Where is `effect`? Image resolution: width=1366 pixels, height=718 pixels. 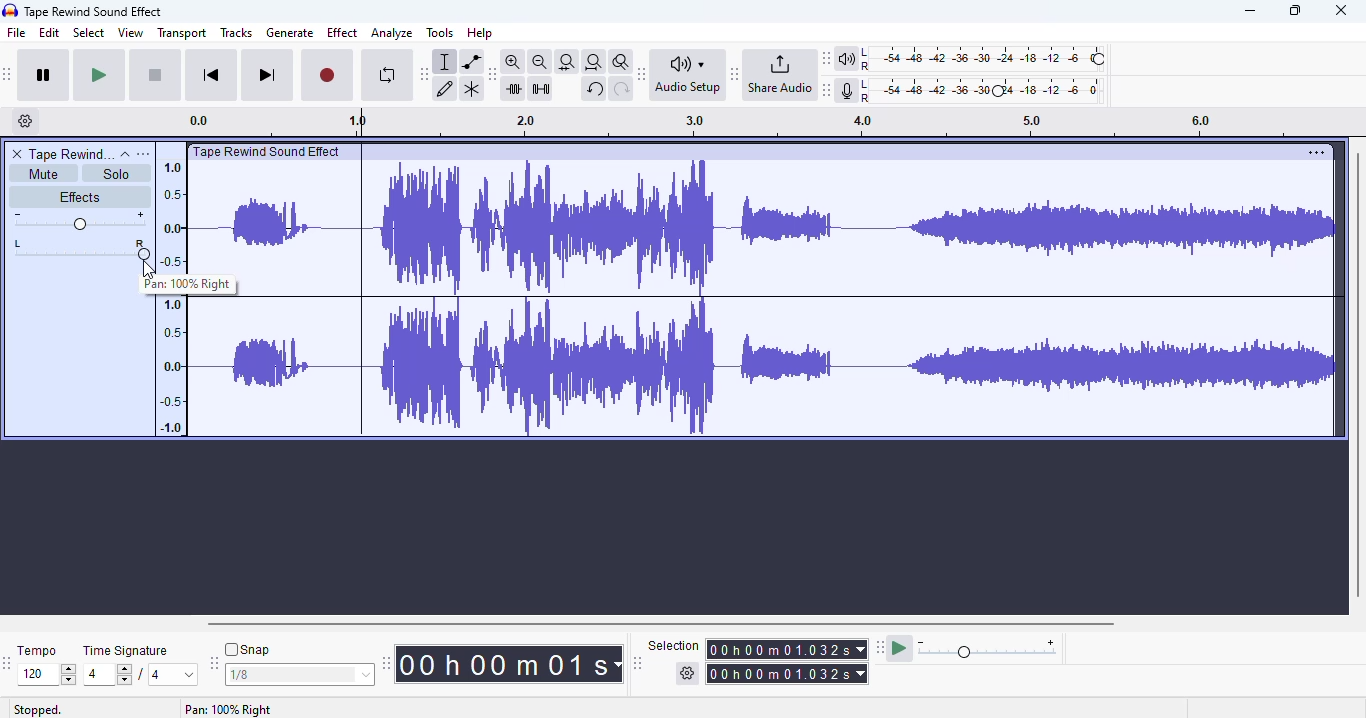
effect is located at coordinates (343, 33).